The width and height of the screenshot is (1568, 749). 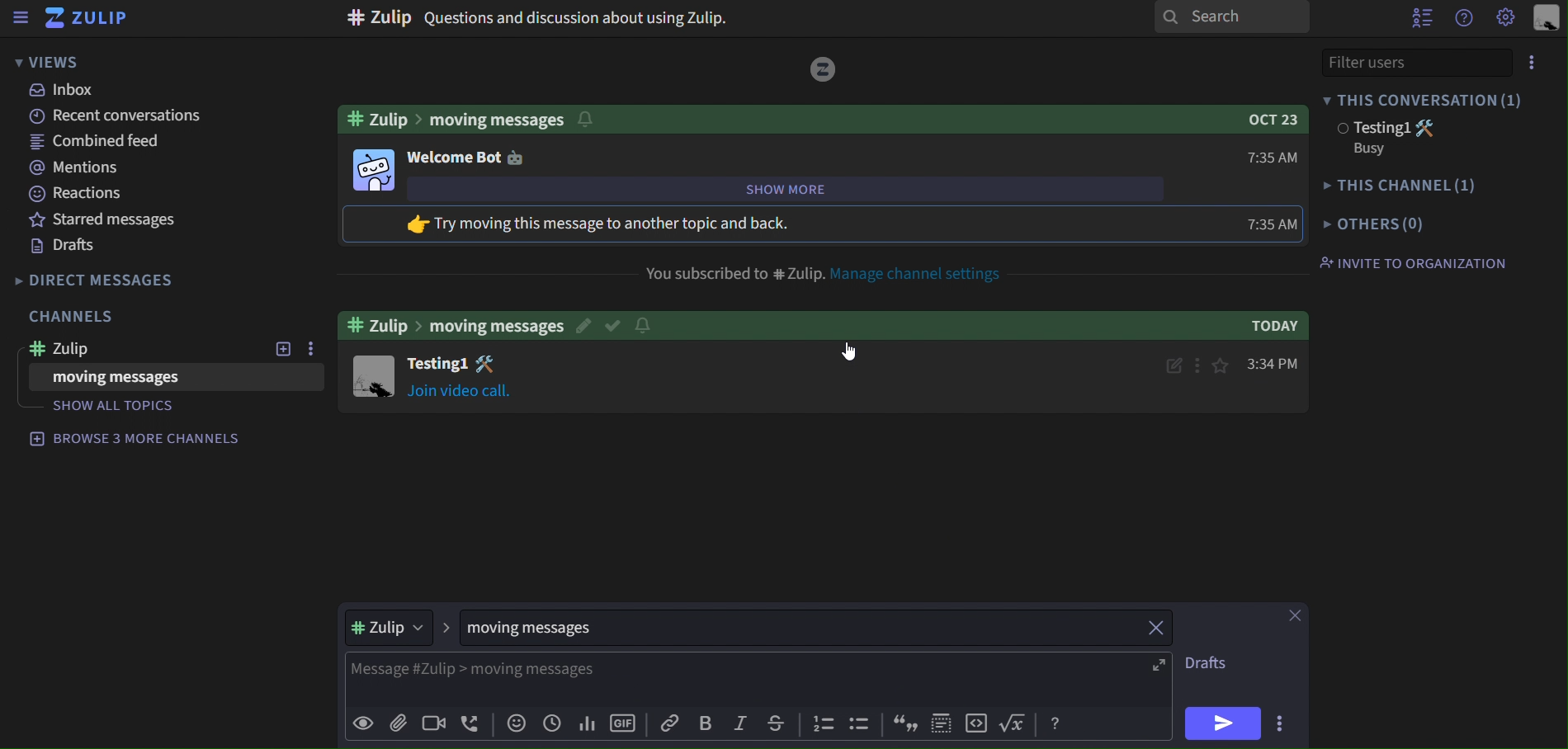 What do you see at coordinates (1460, 19) in the screenshot?
I see `help` at bounding box center [1460, 19].